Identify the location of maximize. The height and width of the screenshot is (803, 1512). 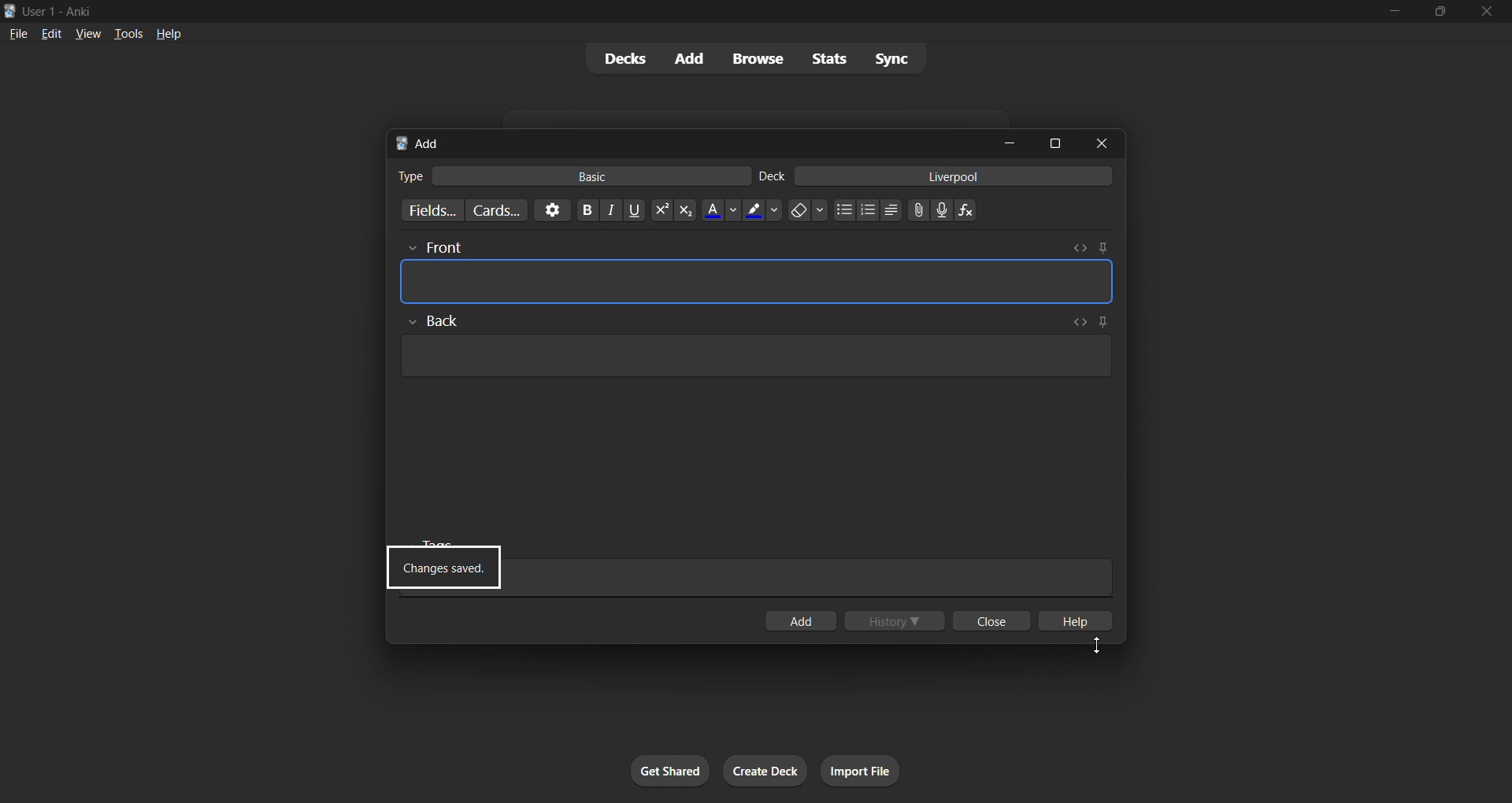
(1052, 142).